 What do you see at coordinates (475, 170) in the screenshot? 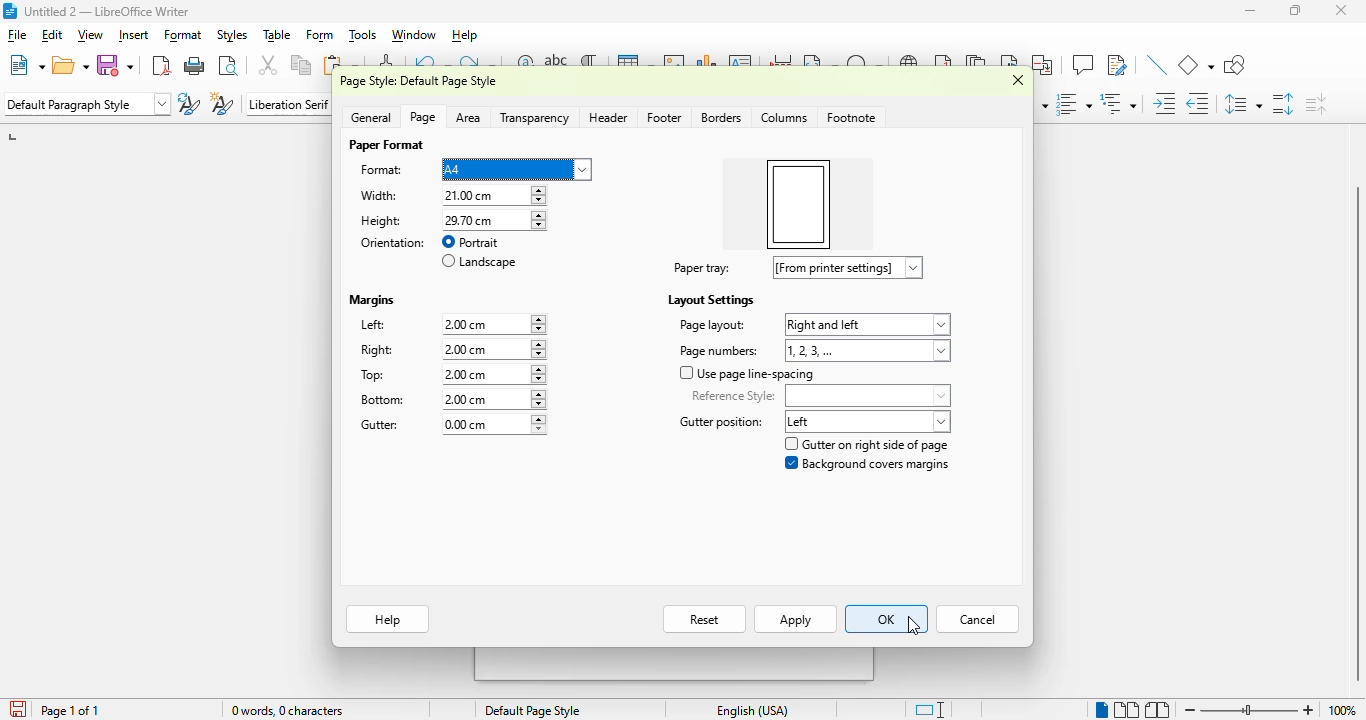
I see `format: A4` at bounding box center [475, 170].